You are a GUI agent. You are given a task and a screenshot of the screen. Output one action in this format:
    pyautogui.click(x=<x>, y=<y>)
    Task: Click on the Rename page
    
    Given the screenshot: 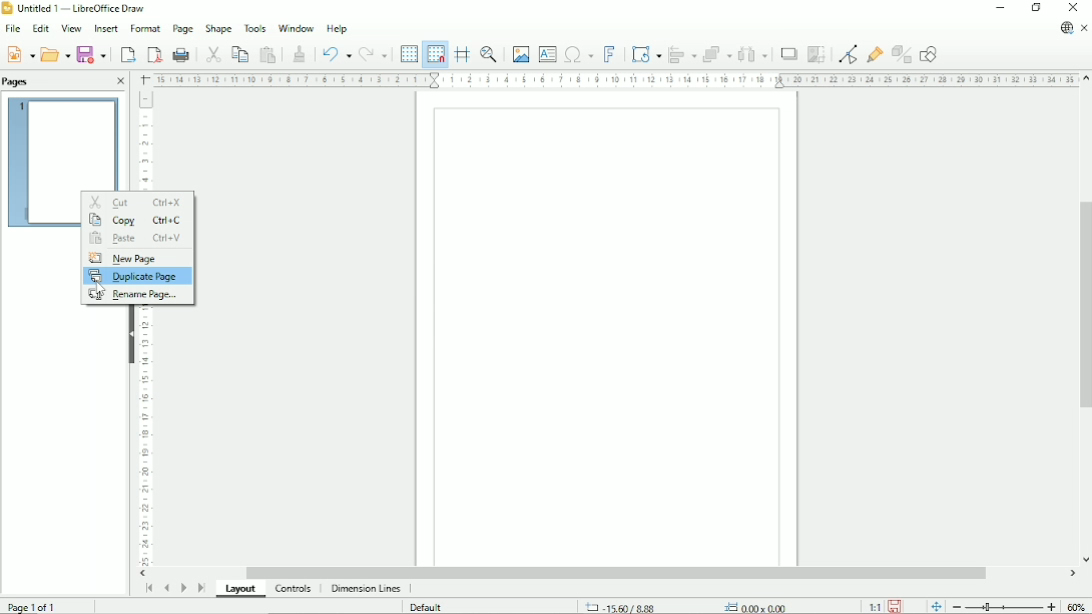 What is the action you would take?
    pyautogui.click(x=137, y=295)
    